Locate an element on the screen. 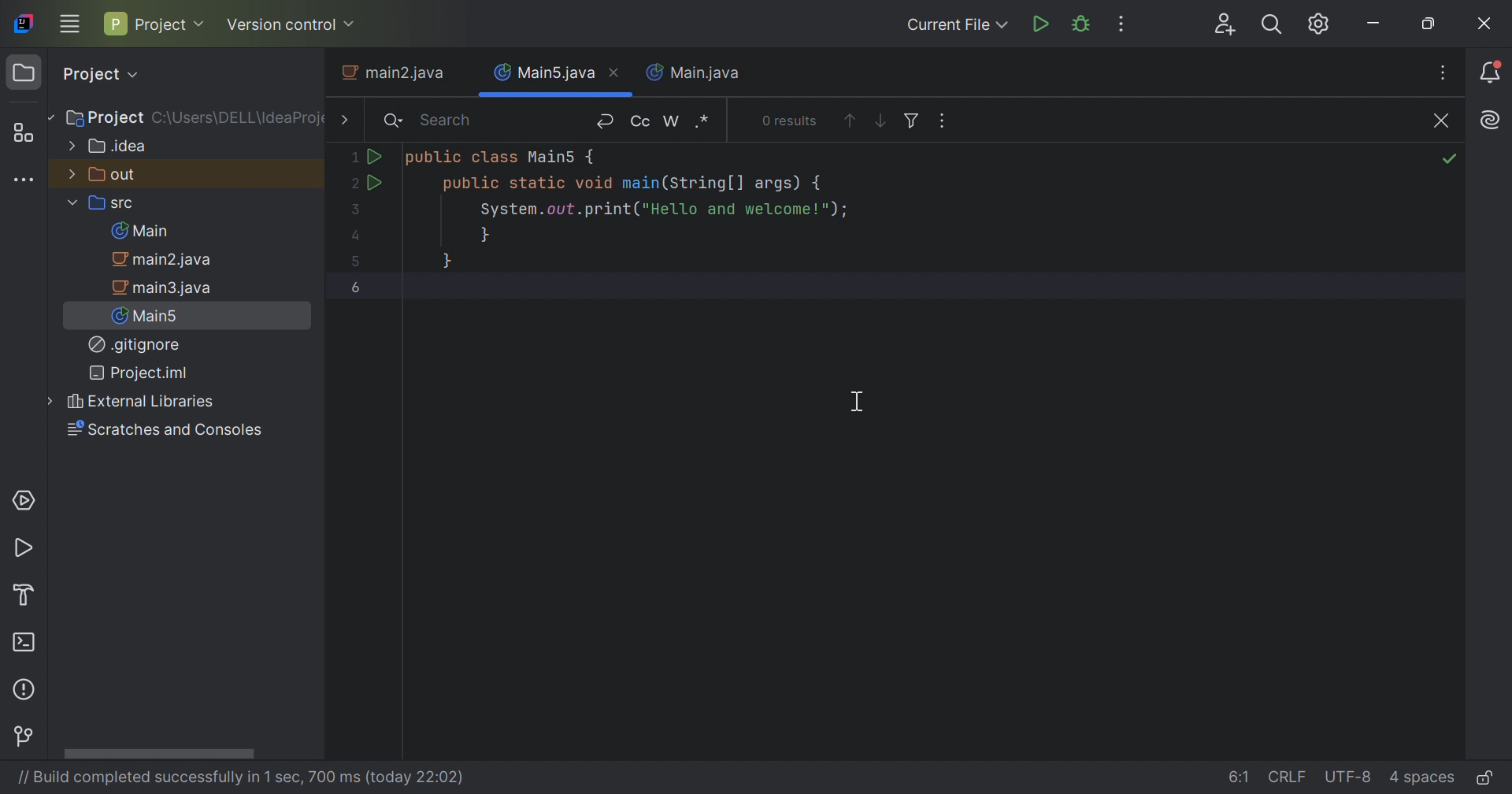 The image size is (1512, 794). Recent Files, Tab Actions, and More is located at coordinates (1442, 75).